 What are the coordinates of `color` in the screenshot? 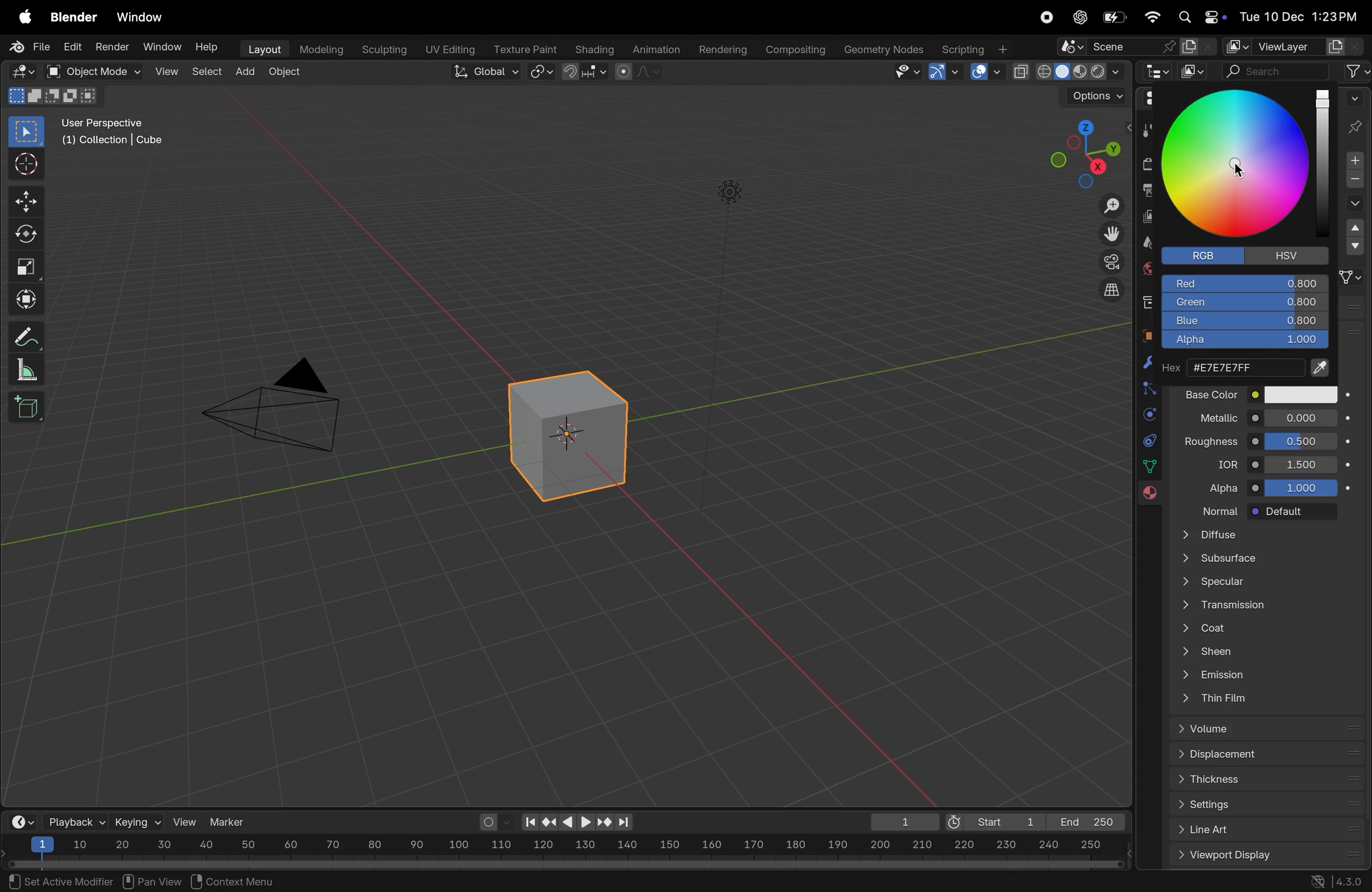 It's located at (1299, 394).